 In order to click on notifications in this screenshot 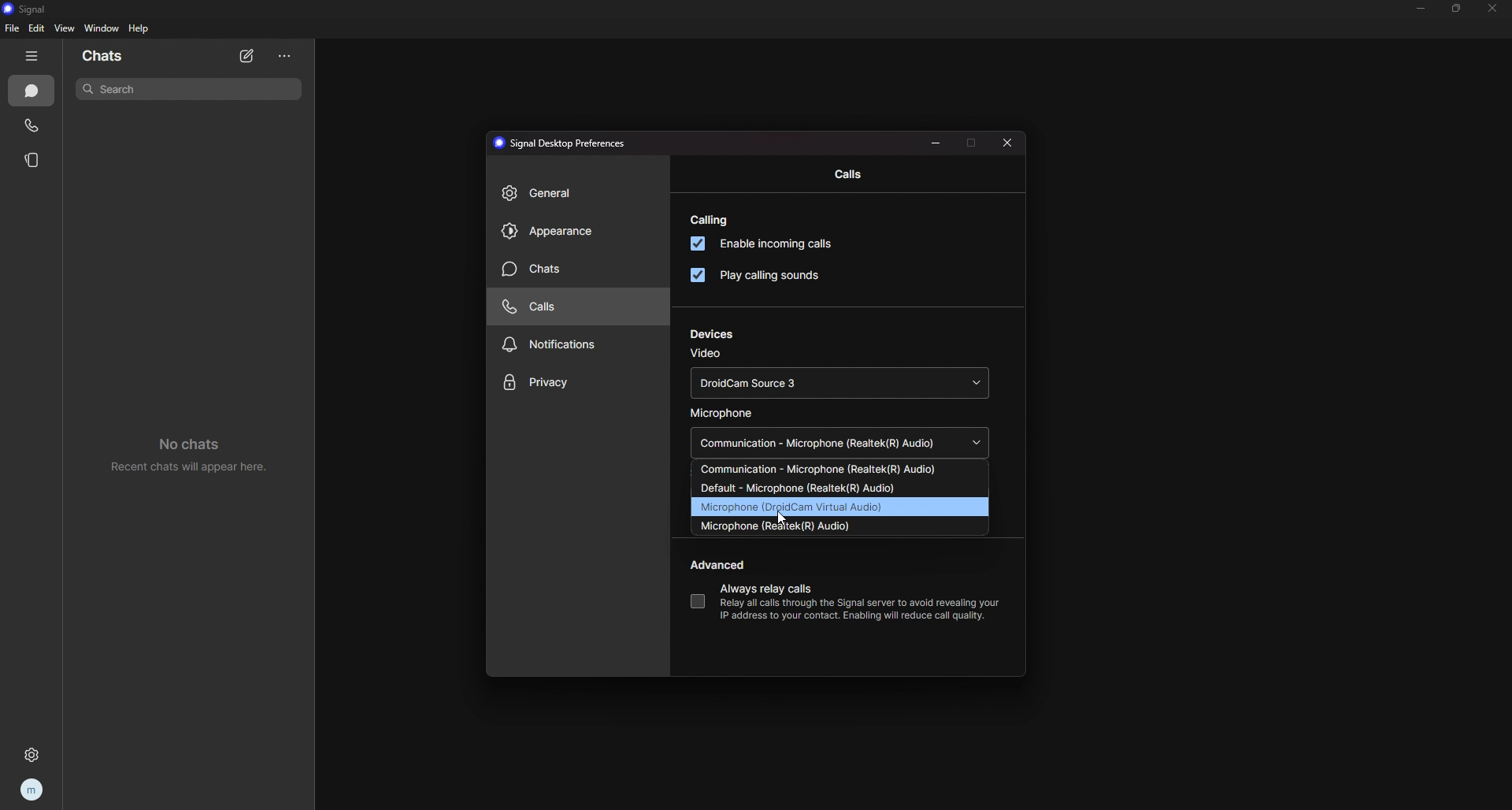, I will do `click(570, 345)`.